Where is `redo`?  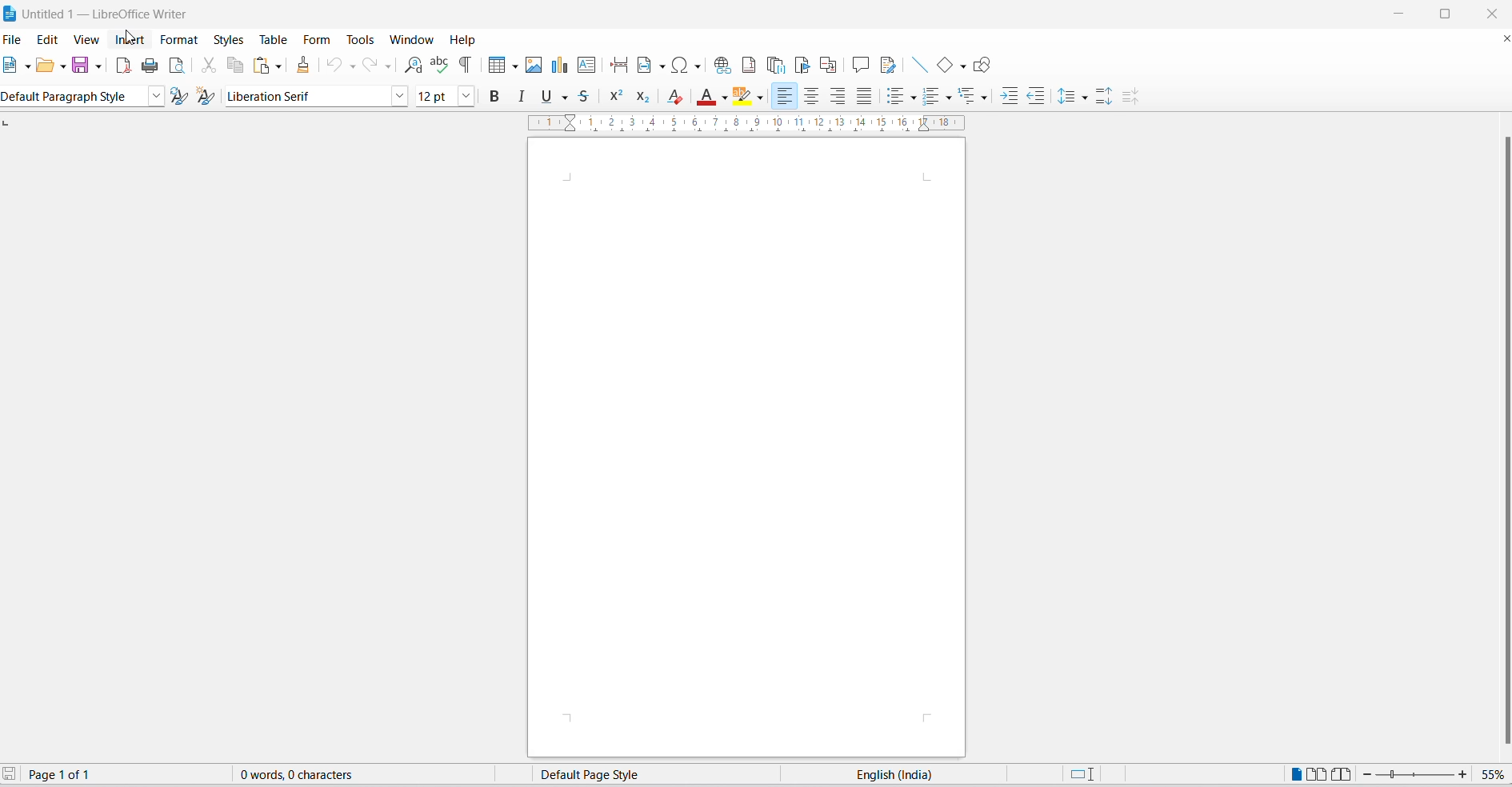
redo is located at coordinates (369, 67).